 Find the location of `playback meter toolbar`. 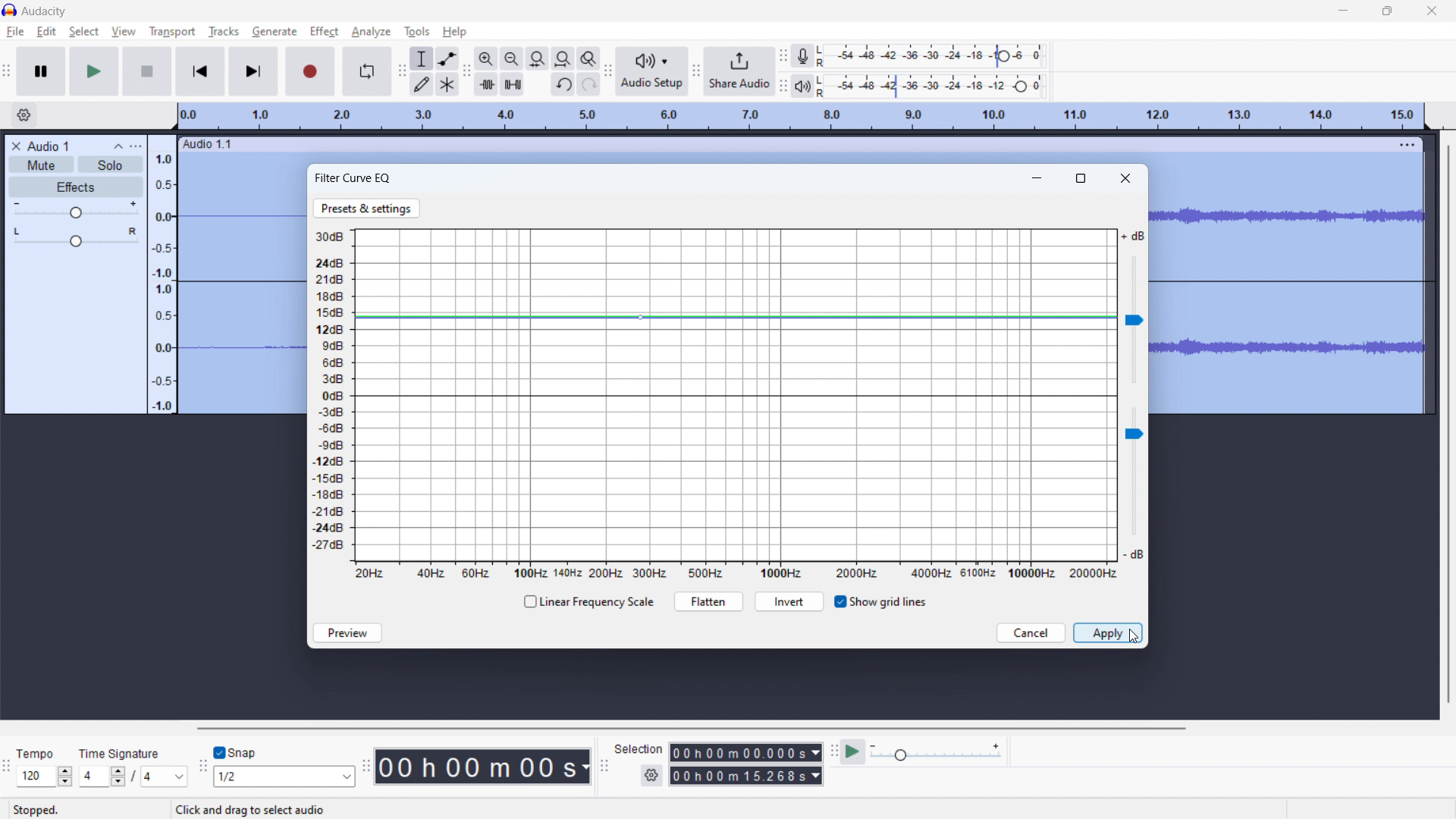

playback meter toolbar is located at coordinates (783, 85).